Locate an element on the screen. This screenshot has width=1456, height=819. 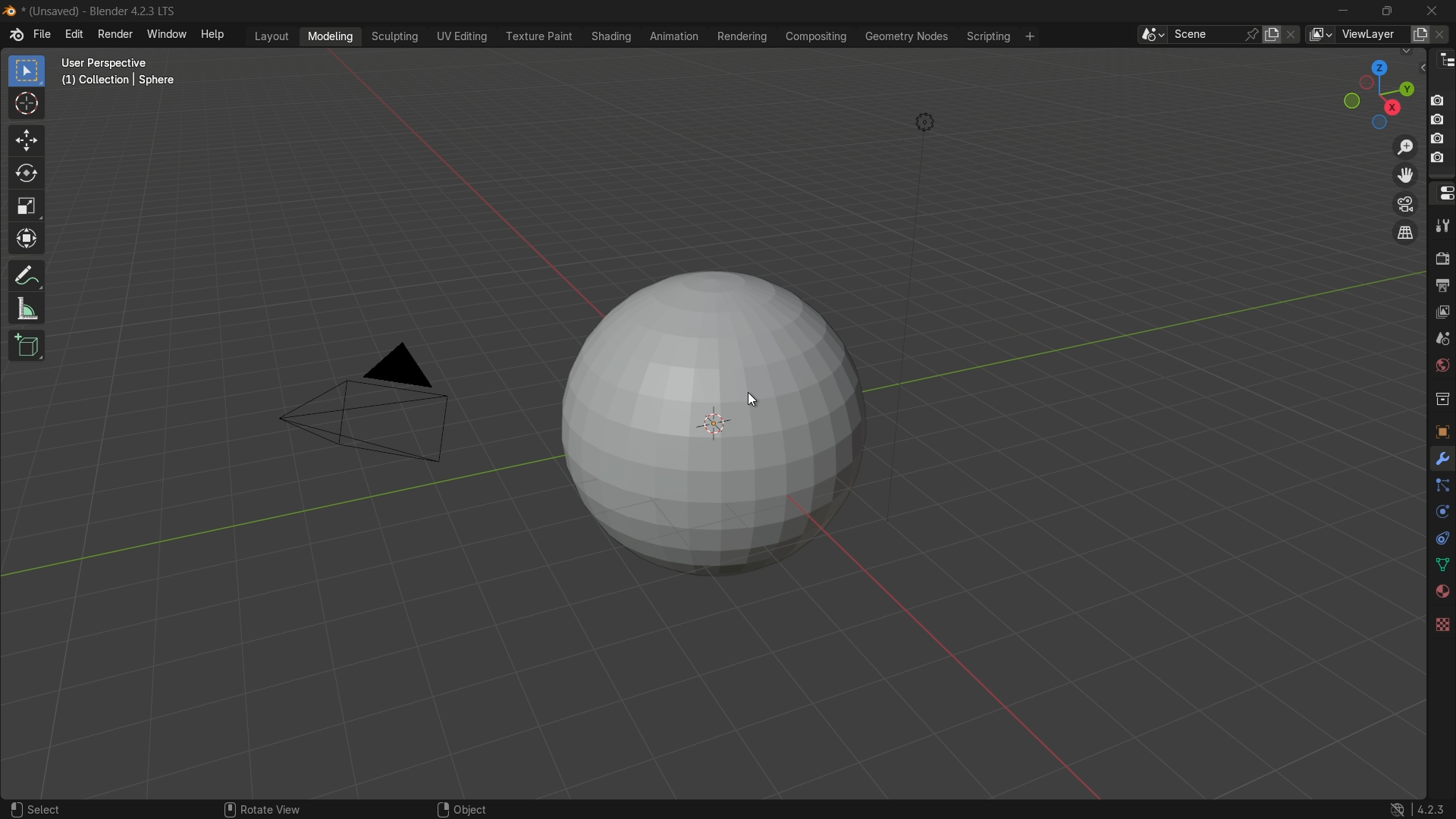
browse views is located at coordinates (1319, 34).